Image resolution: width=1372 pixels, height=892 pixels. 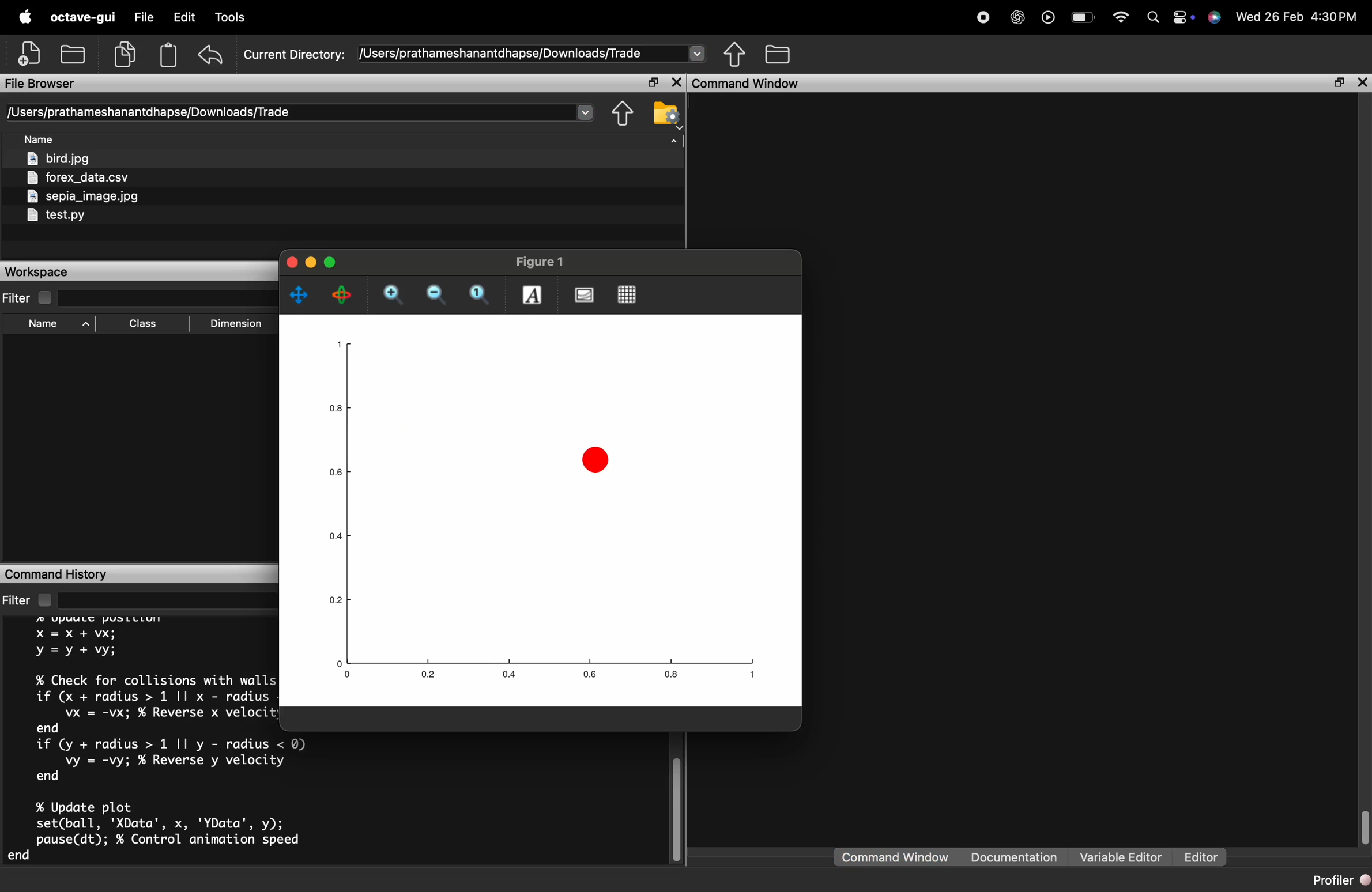 What do you see at coordinates (24, 16) in the screenshot?
I see `apple` at bounding box center [24, 16].